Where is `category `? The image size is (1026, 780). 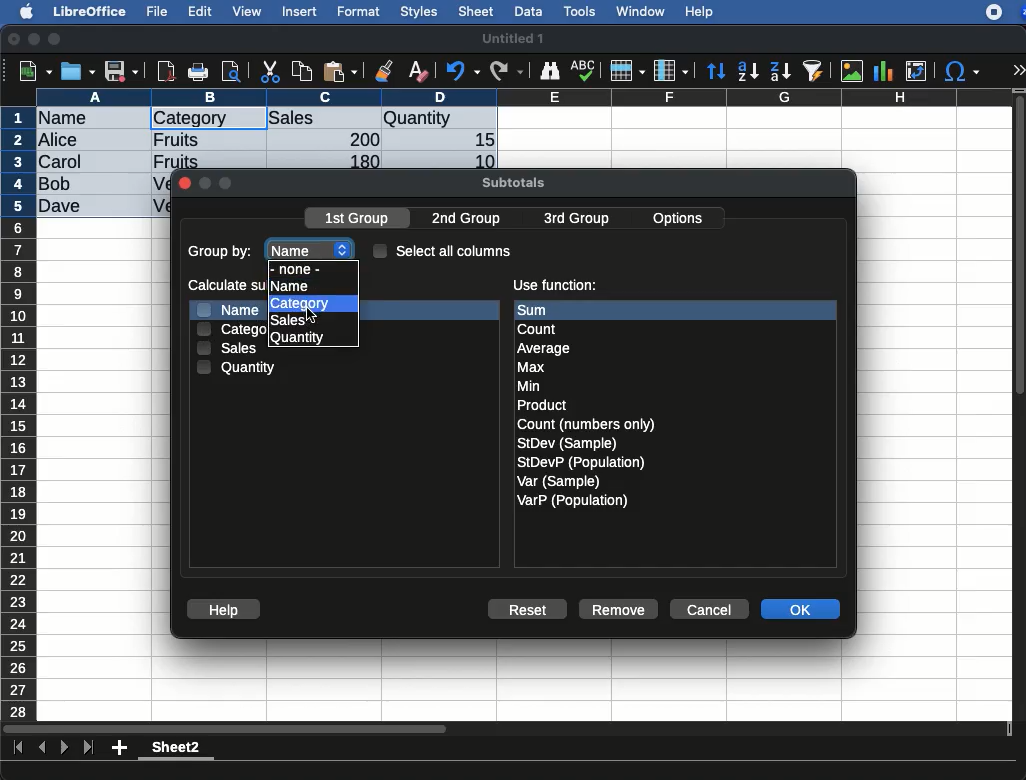
category  is located at coordinates (231, 329).